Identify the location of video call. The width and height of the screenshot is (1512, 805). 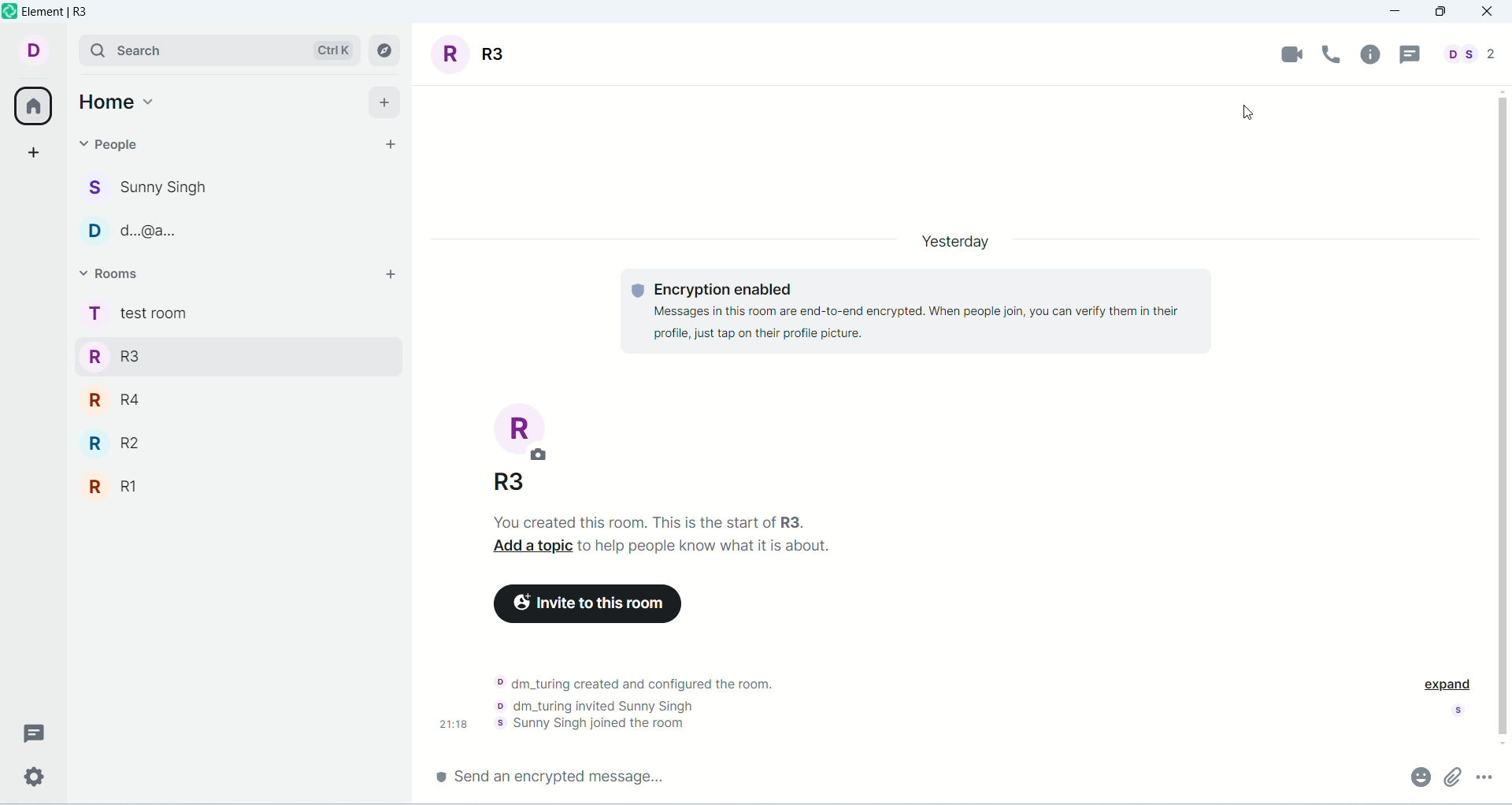
(1293, 54).